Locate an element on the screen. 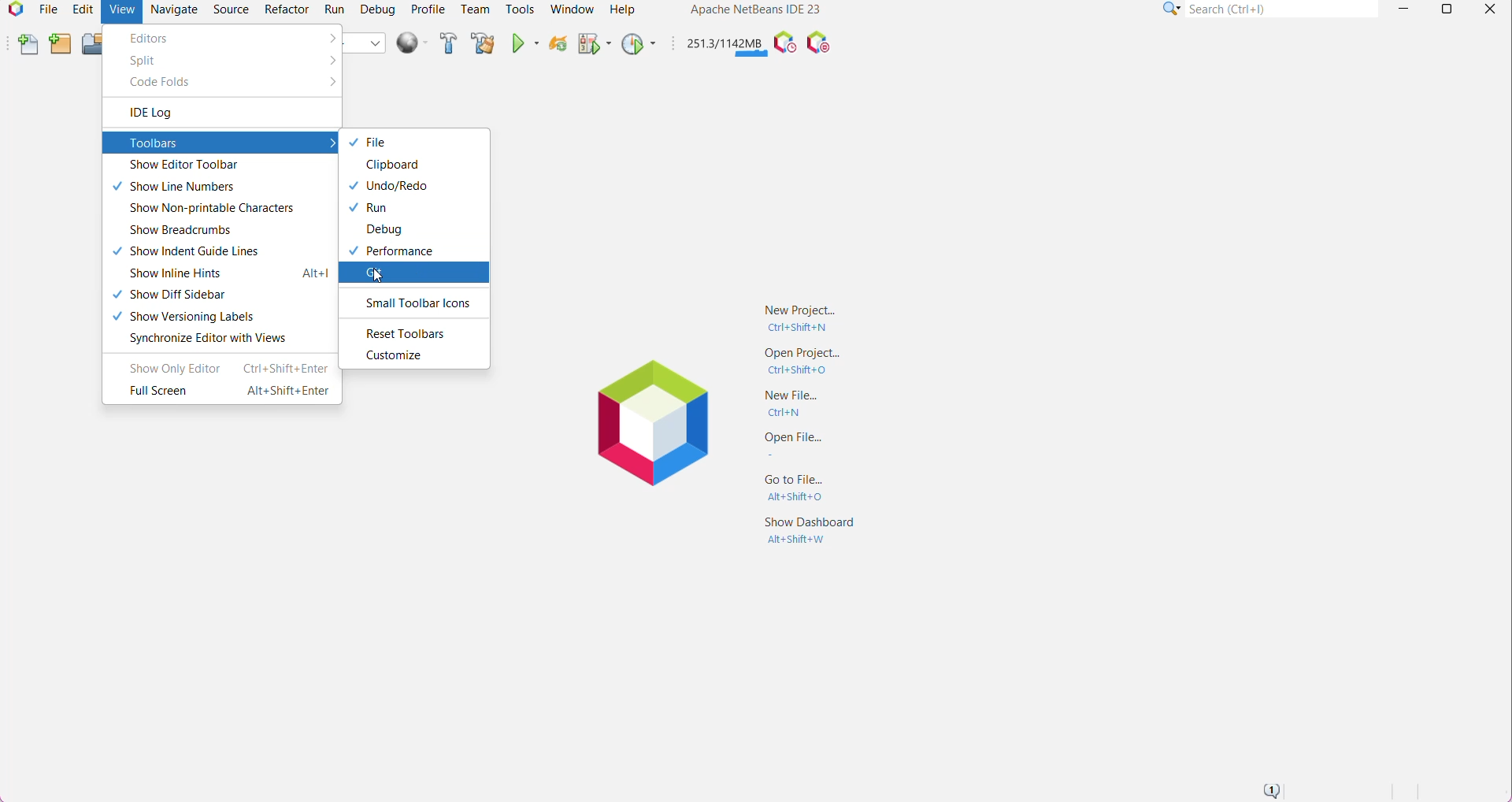  View is located at coordinates (120, 12).